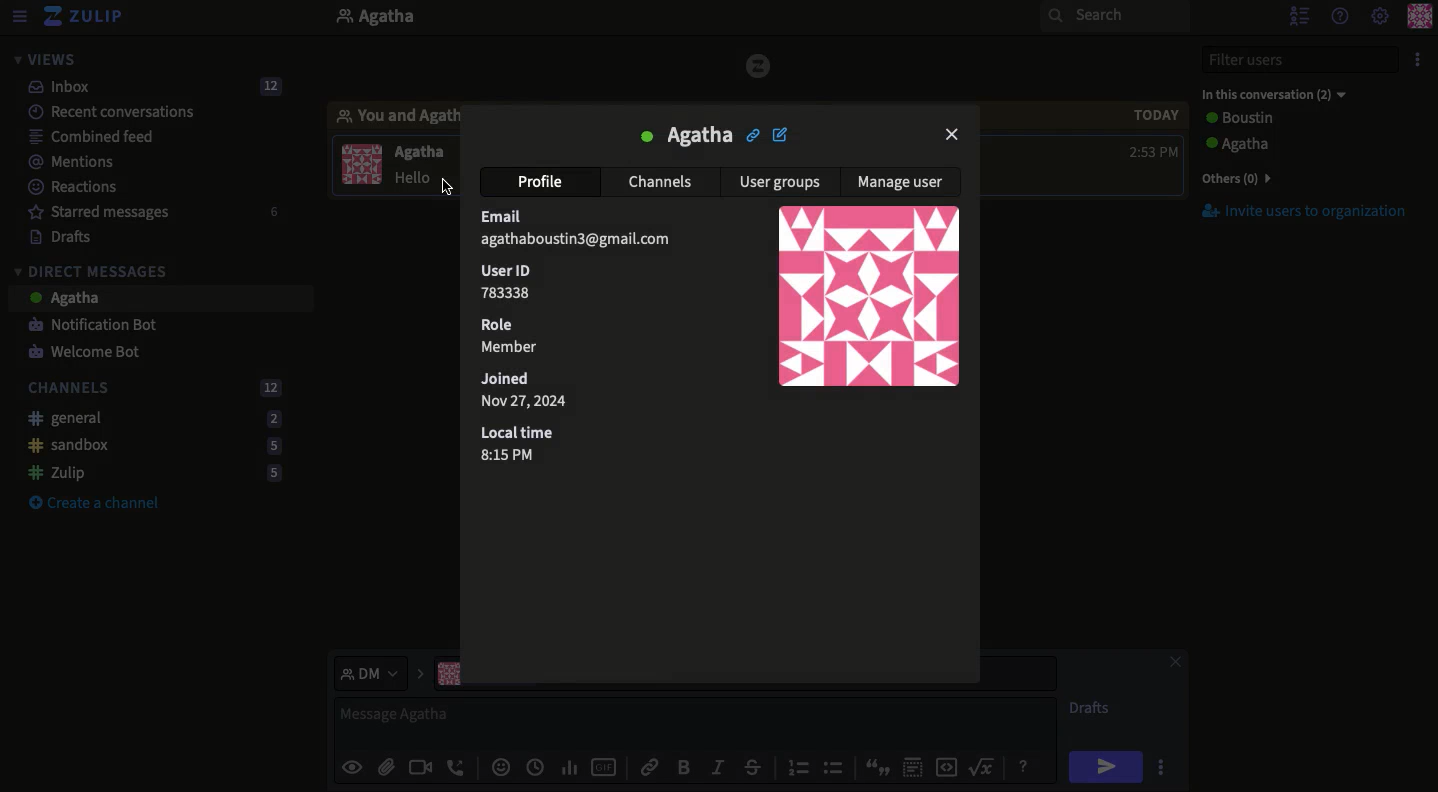  Describe the element at coordinates (1091, 707) in the screenshot. I see `Drafts` at that location.